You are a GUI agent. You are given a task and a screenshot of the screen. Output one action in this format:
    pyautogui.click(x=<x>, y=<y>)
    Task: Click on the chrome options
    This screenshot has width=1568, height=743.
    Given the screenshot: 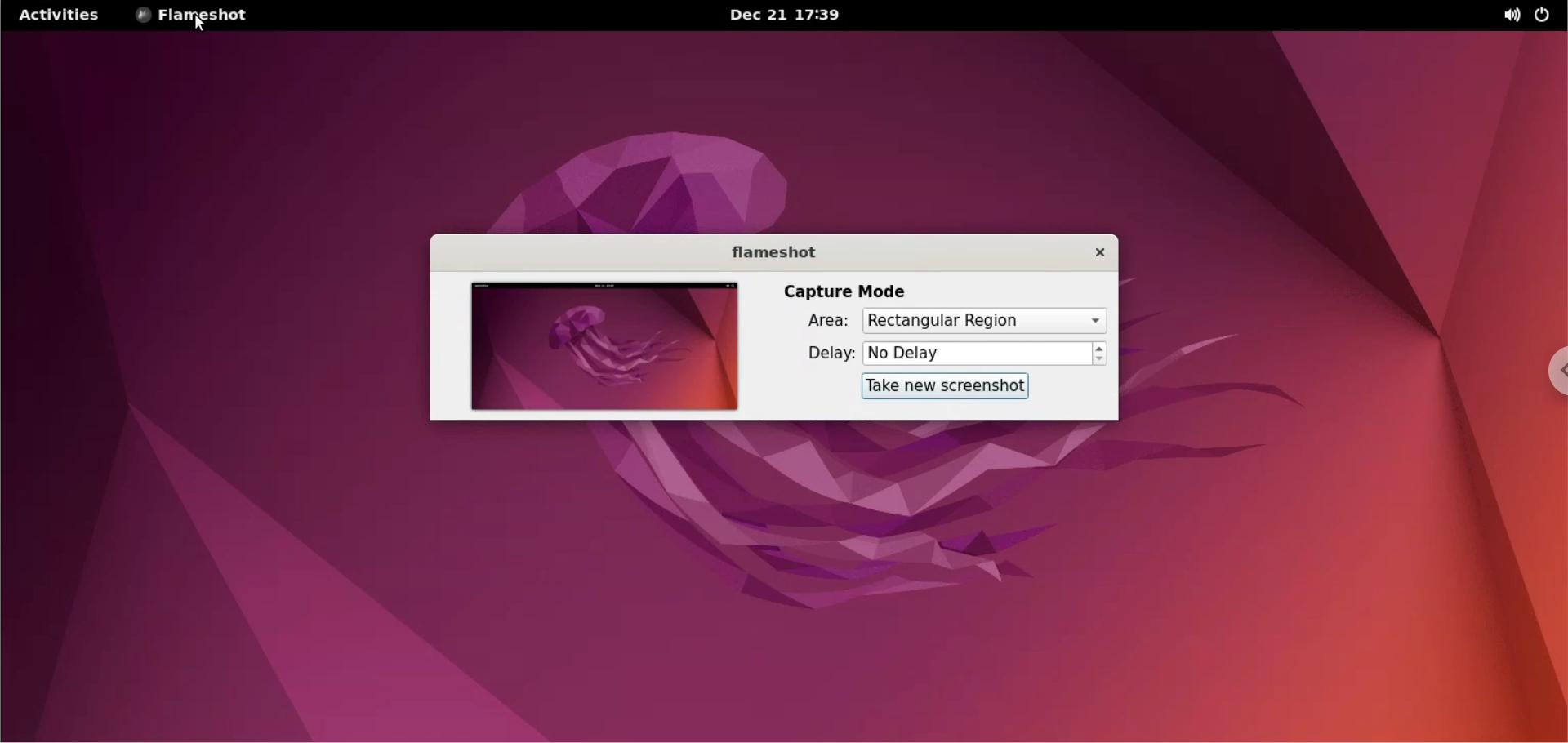 What is the action you would take?
    pyautogui.click(x=1550, y=372)
    